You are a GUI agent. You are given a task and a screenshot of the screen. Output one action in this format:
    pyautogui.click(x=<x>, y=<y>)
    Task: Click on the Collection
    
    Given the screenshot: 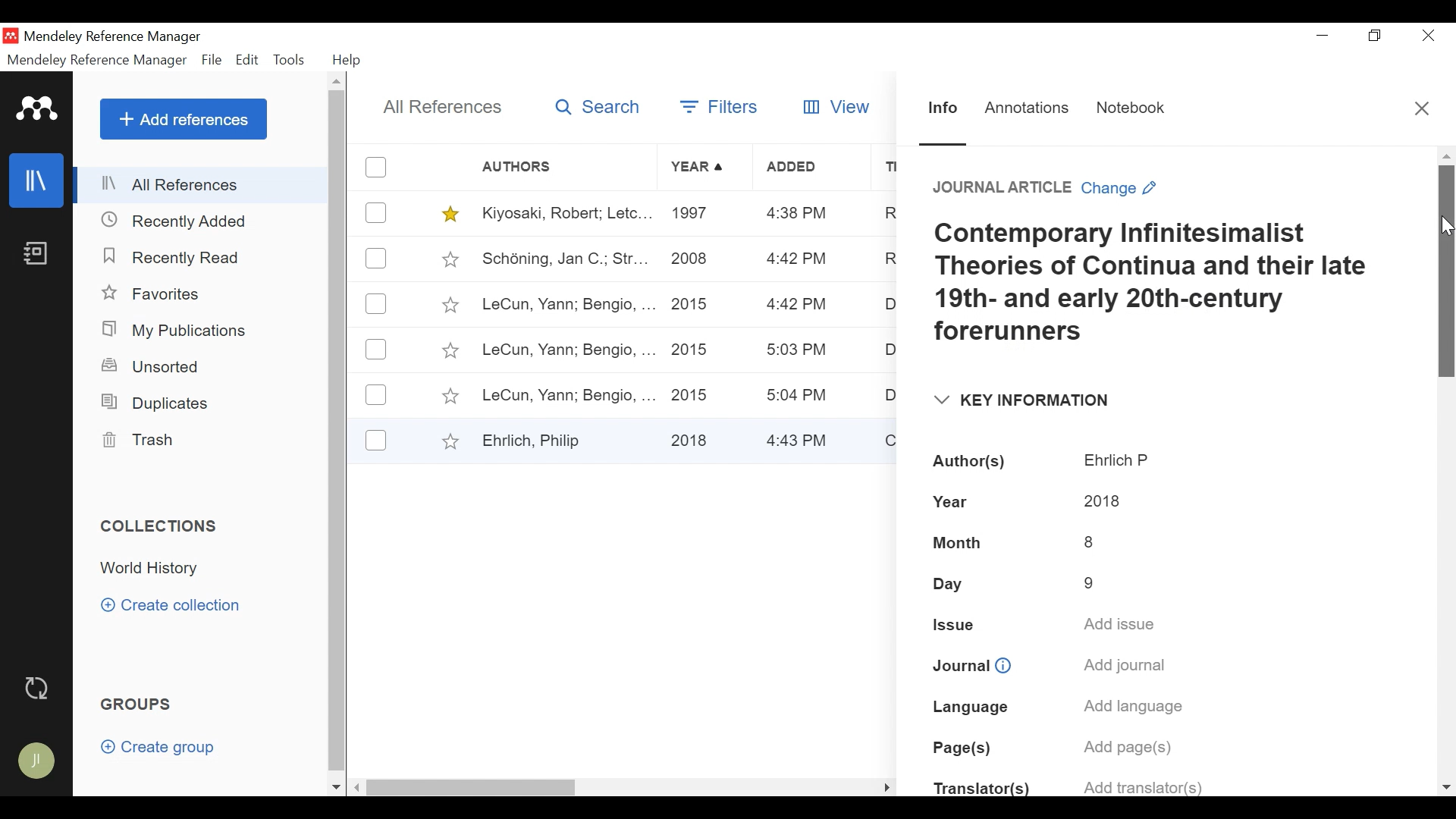 What is the action you would take?
    pyautogui.click(x=157, y=568)
    